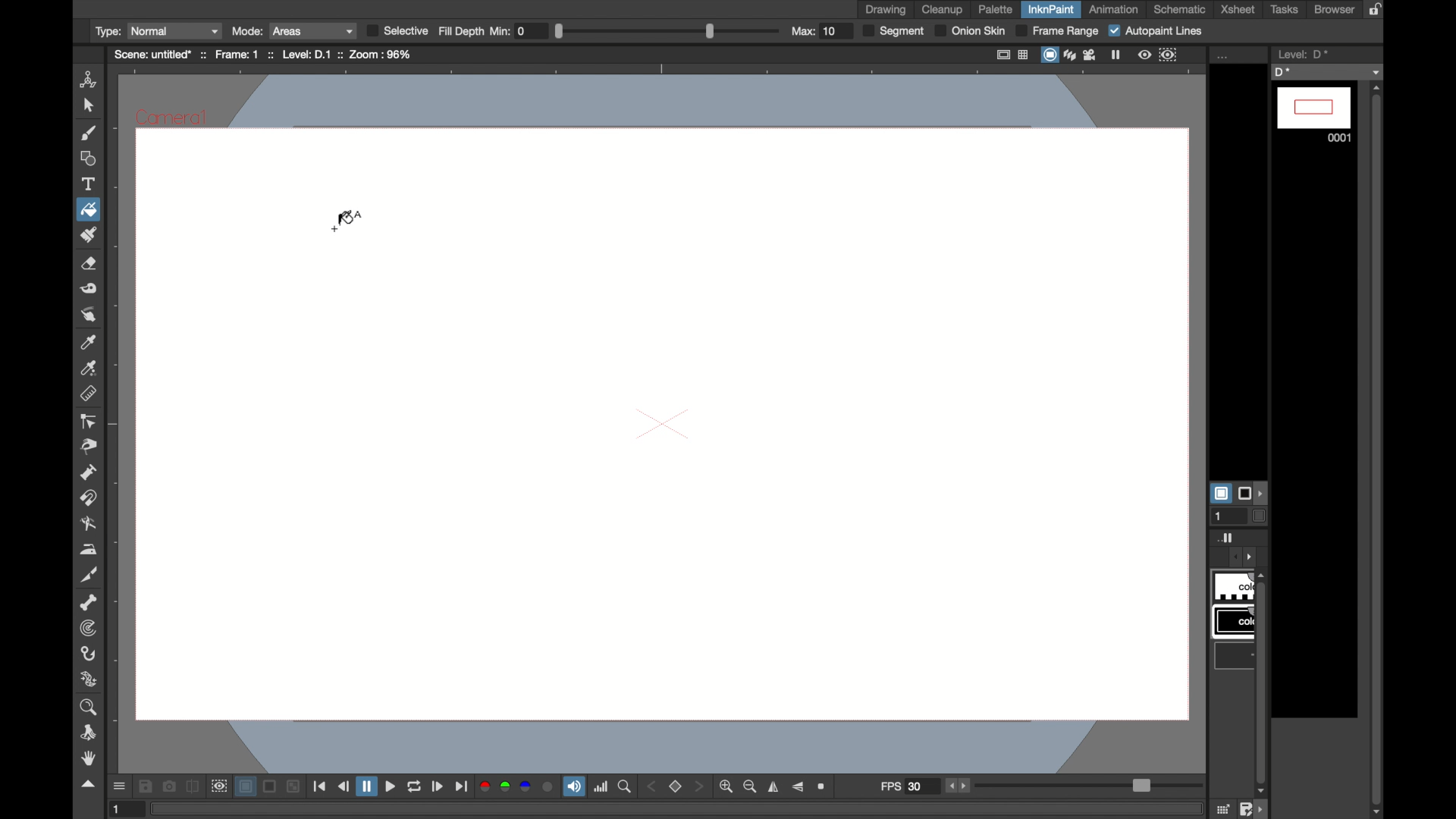 The height and width of the screenshot is (819, 1456). Describe the element at coordinates (90, 707) in the screenshot. I see `zoom` at that location.